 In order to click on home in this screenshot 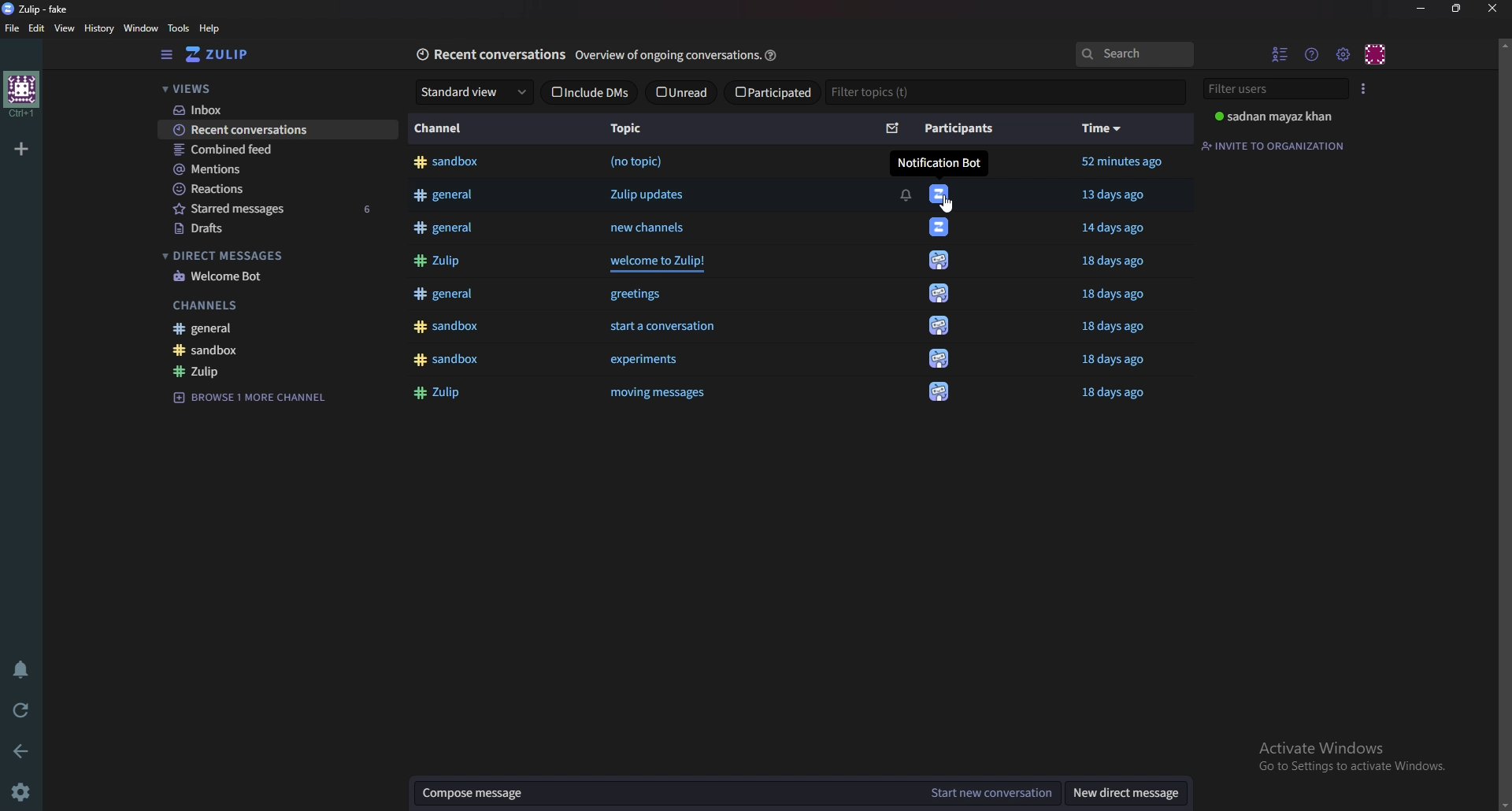, I will do `click(23, 92)`.